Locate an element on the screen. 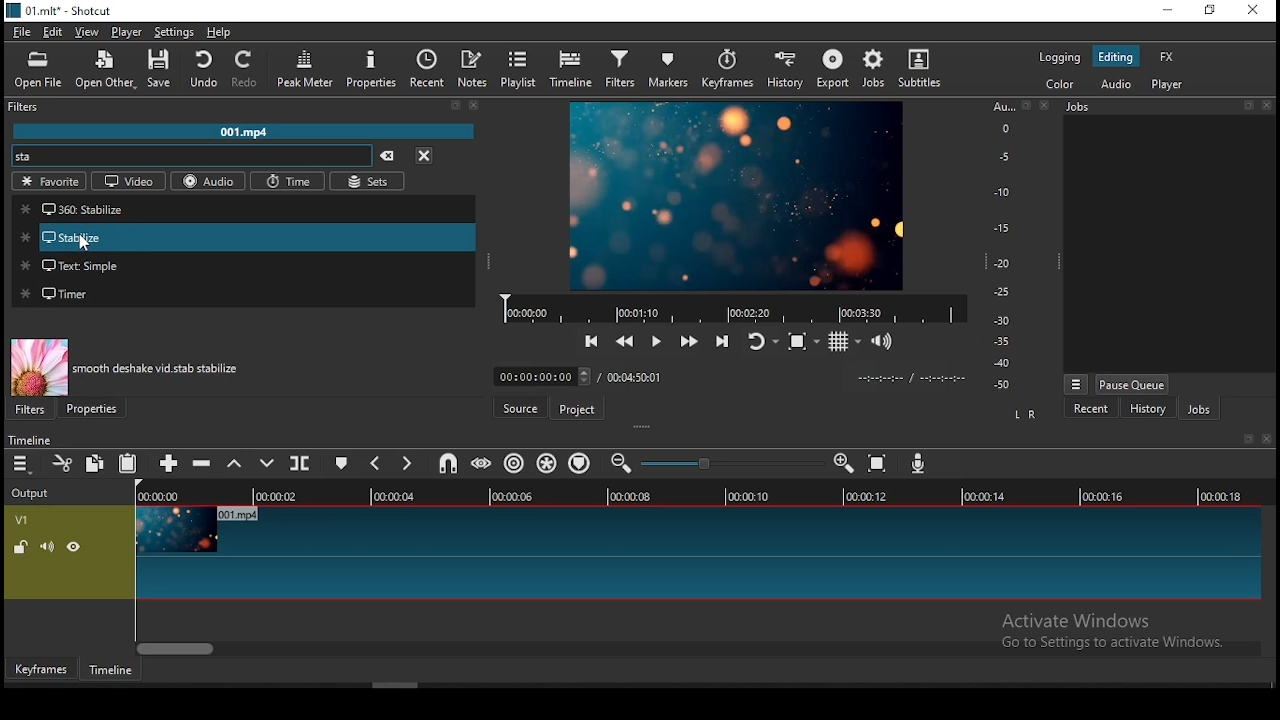  ripple is located at coordinates (518, 462).